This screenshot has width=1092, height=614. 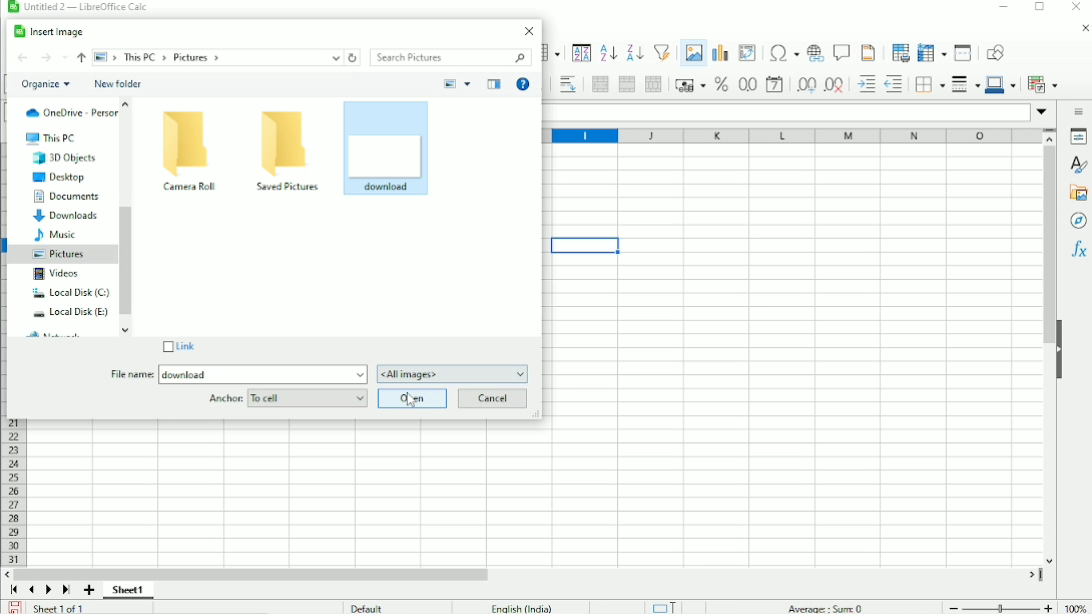 I want to click on Sheet1, so click(x=134, y=590).